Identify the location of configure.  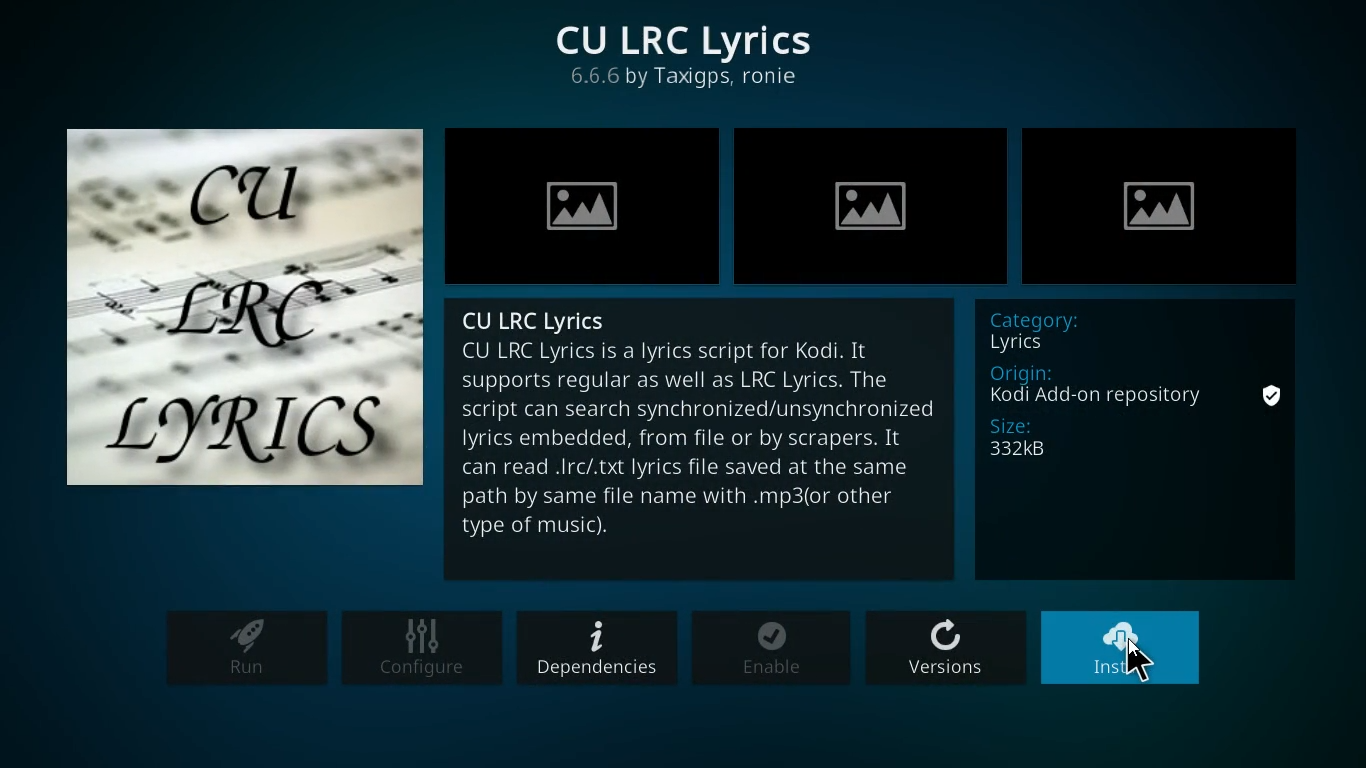
(424, 650).